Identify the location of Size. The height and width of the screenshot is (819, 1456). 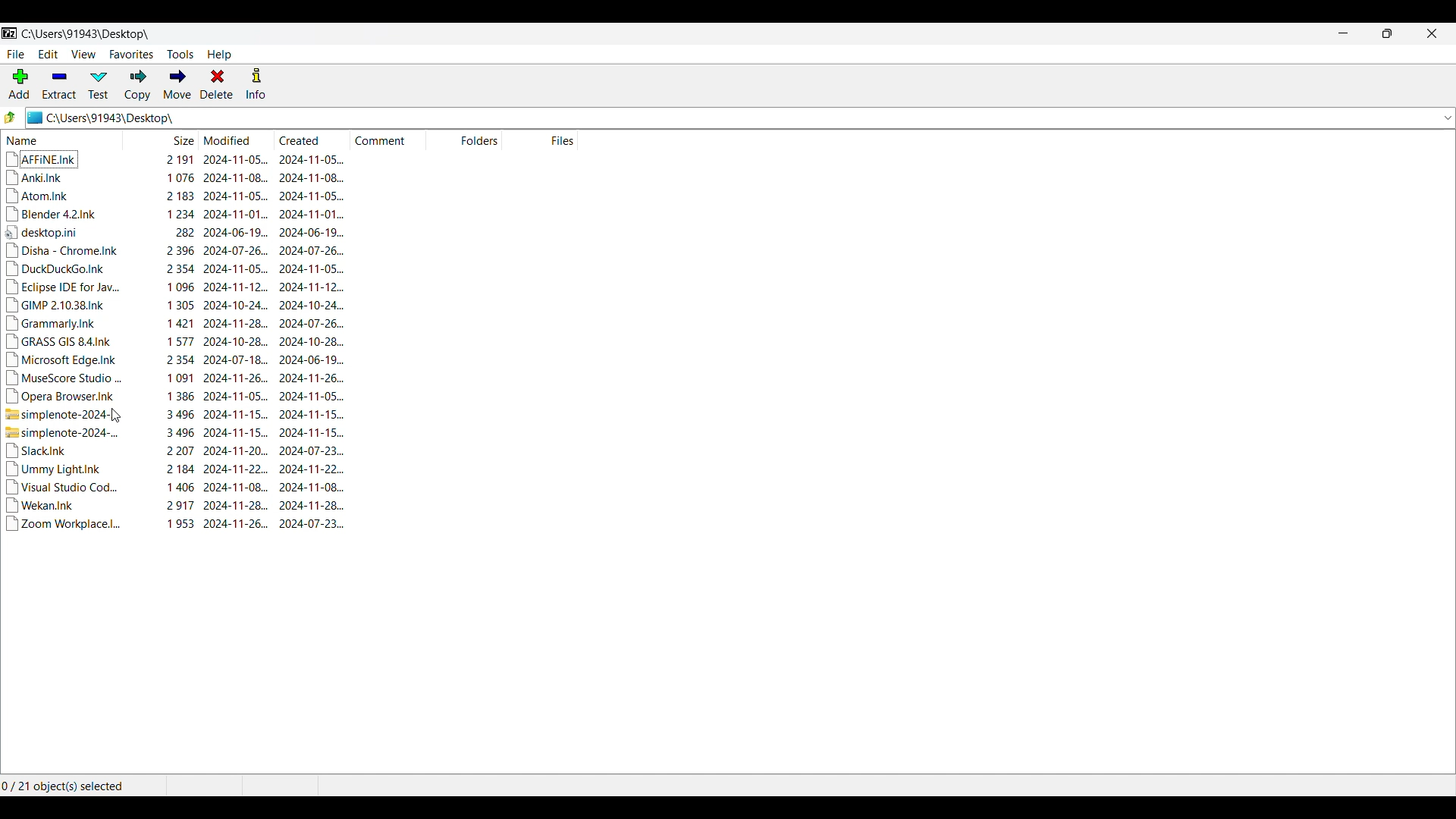
(160, 140).